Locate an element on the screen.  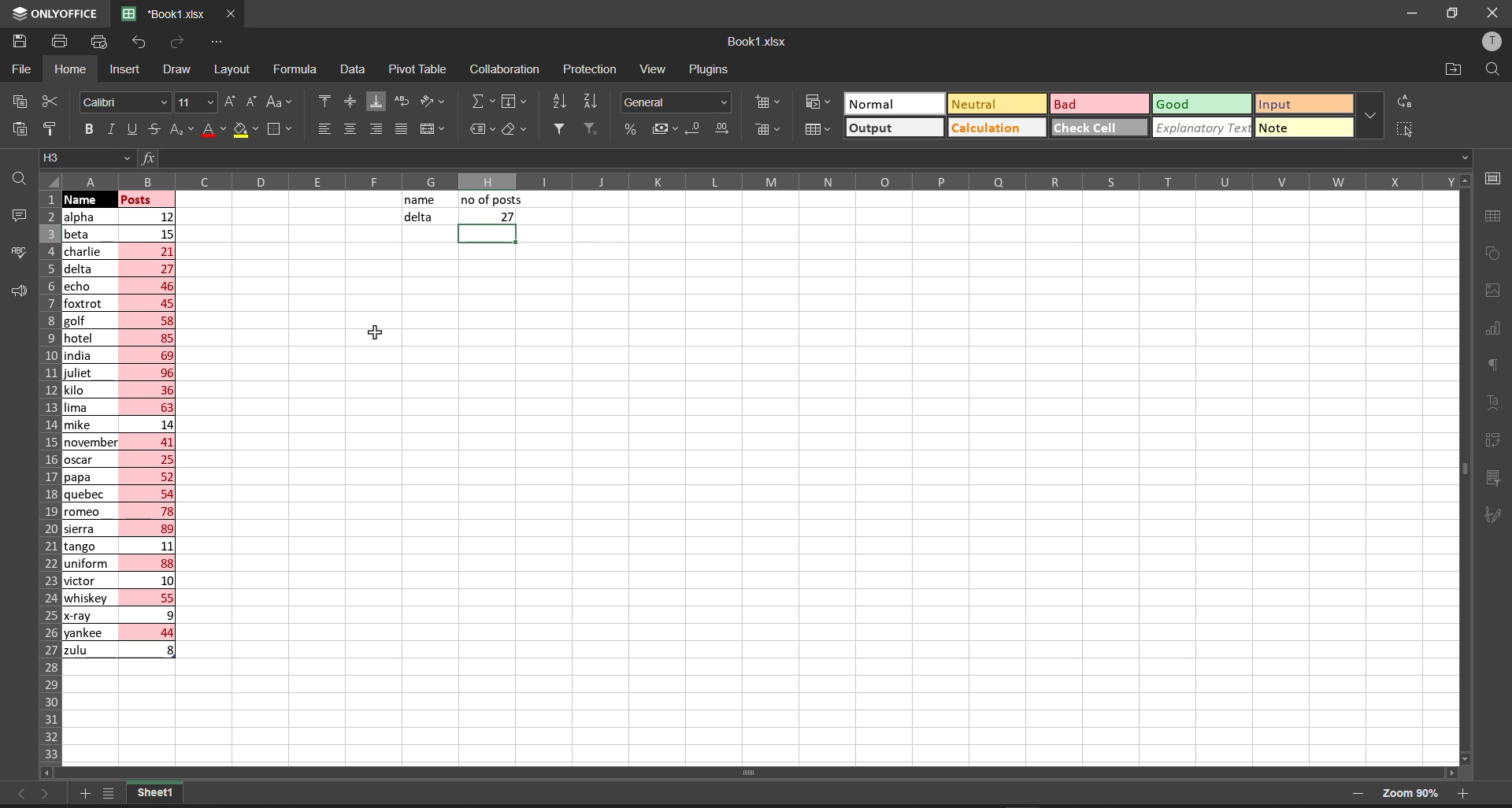
sheet1 is located at coordinates (155, 794).